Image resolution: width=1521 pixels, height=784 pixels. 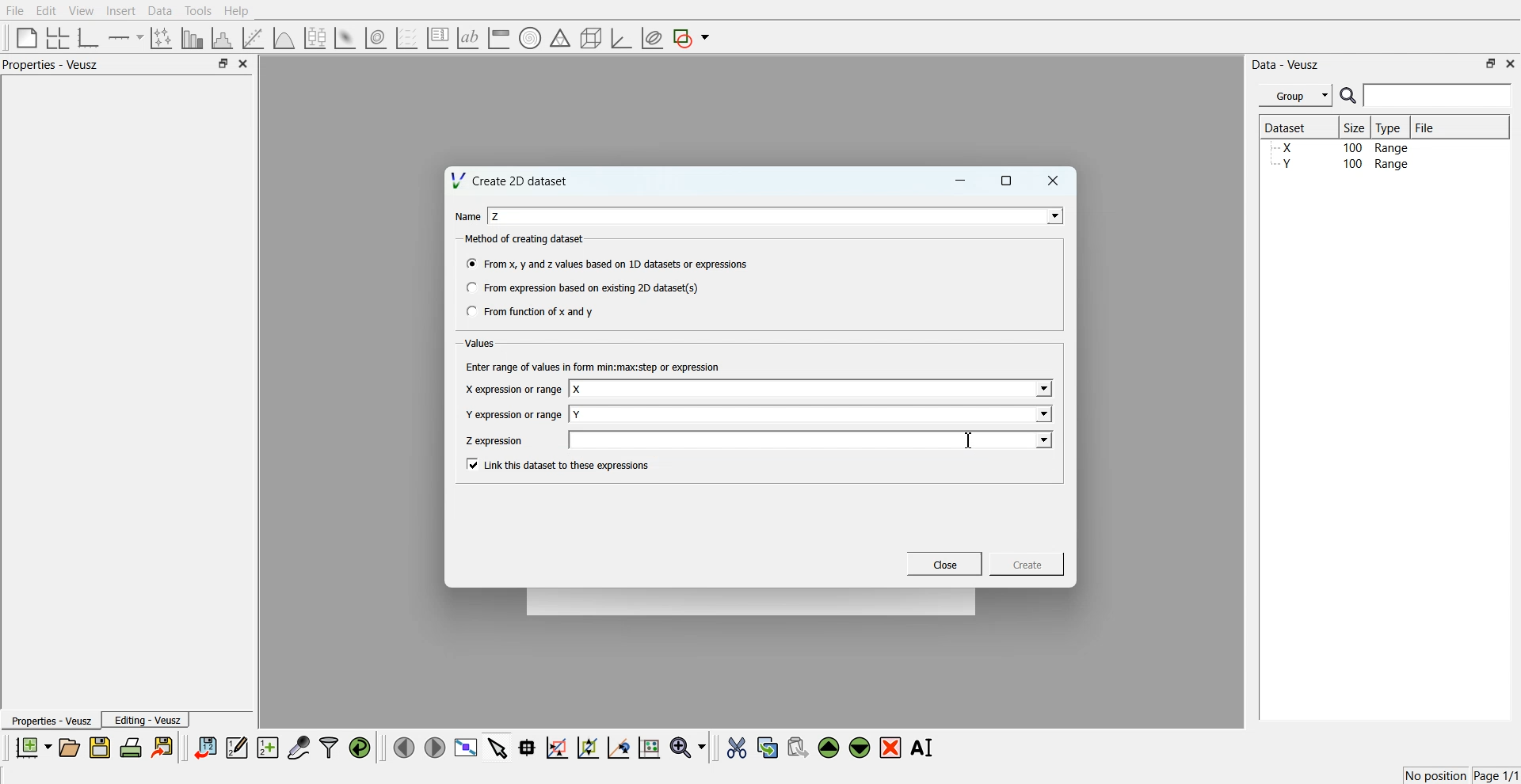 I want to click on Editing - Veusz, so click(x=146, y=719).